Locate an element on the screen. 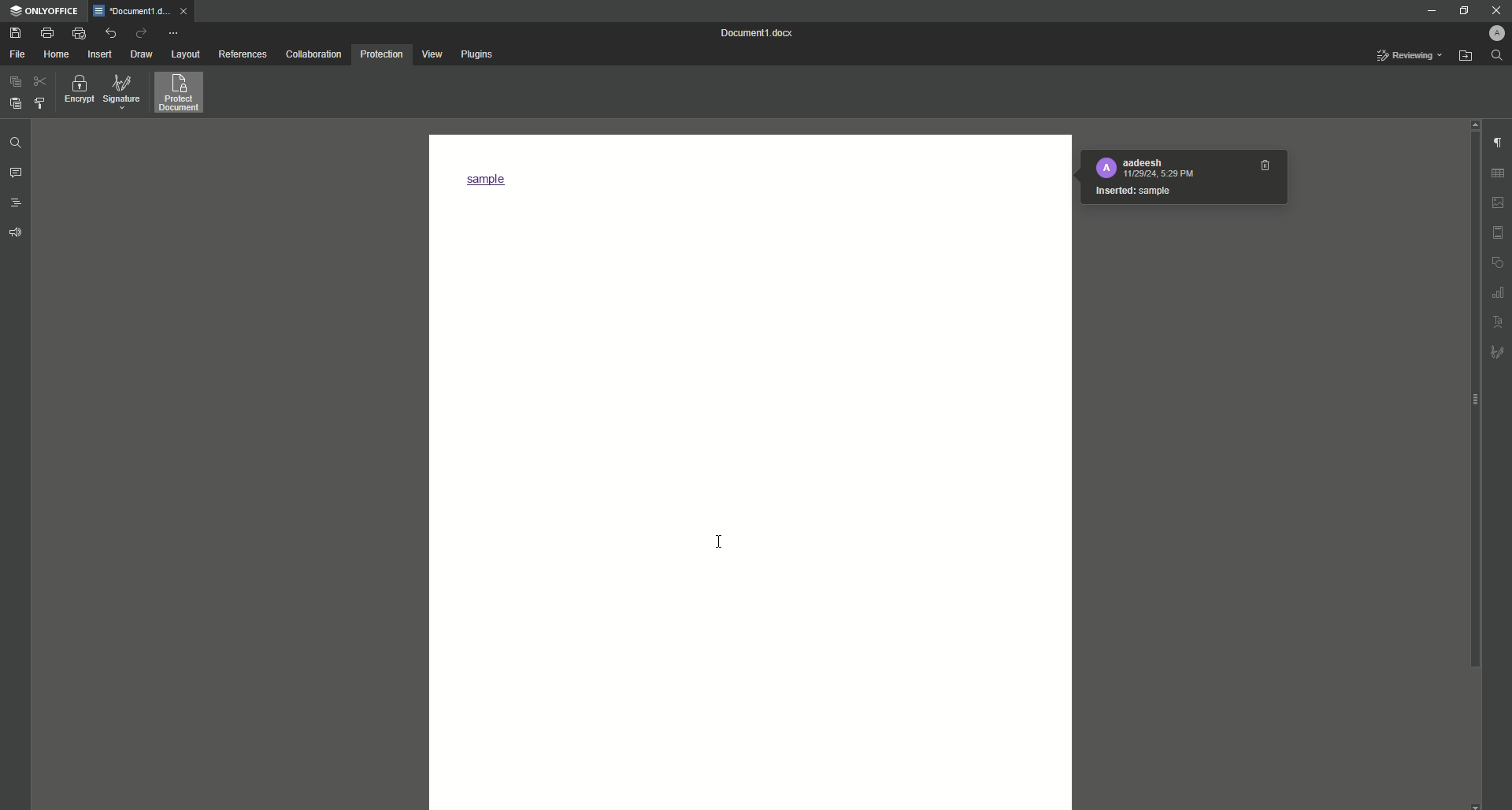 This screenshot has width=1512, height=810. Home is located at coordinates (56, 55).